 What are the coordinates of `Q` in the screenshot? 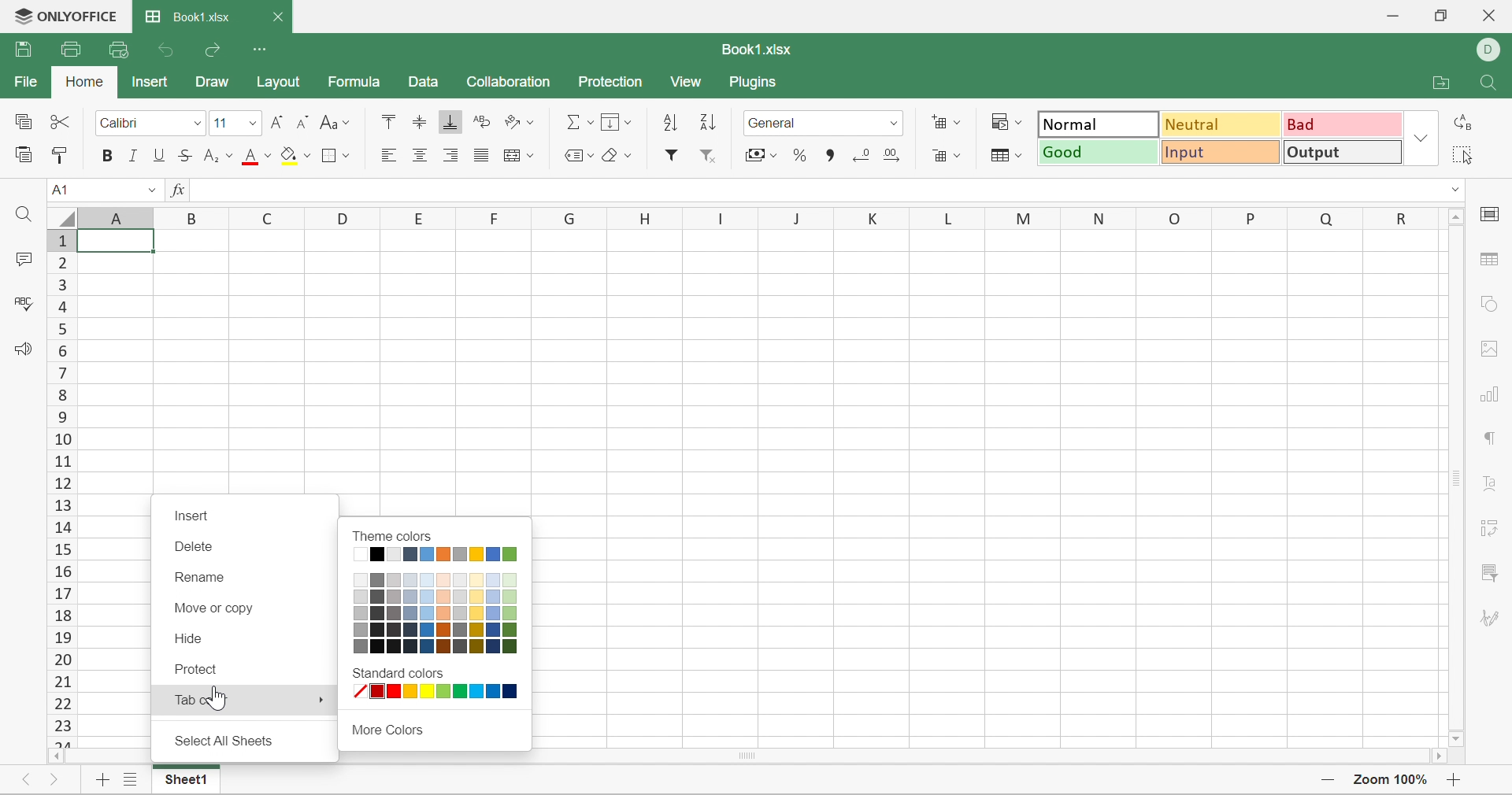 It's located at (1327, 216).